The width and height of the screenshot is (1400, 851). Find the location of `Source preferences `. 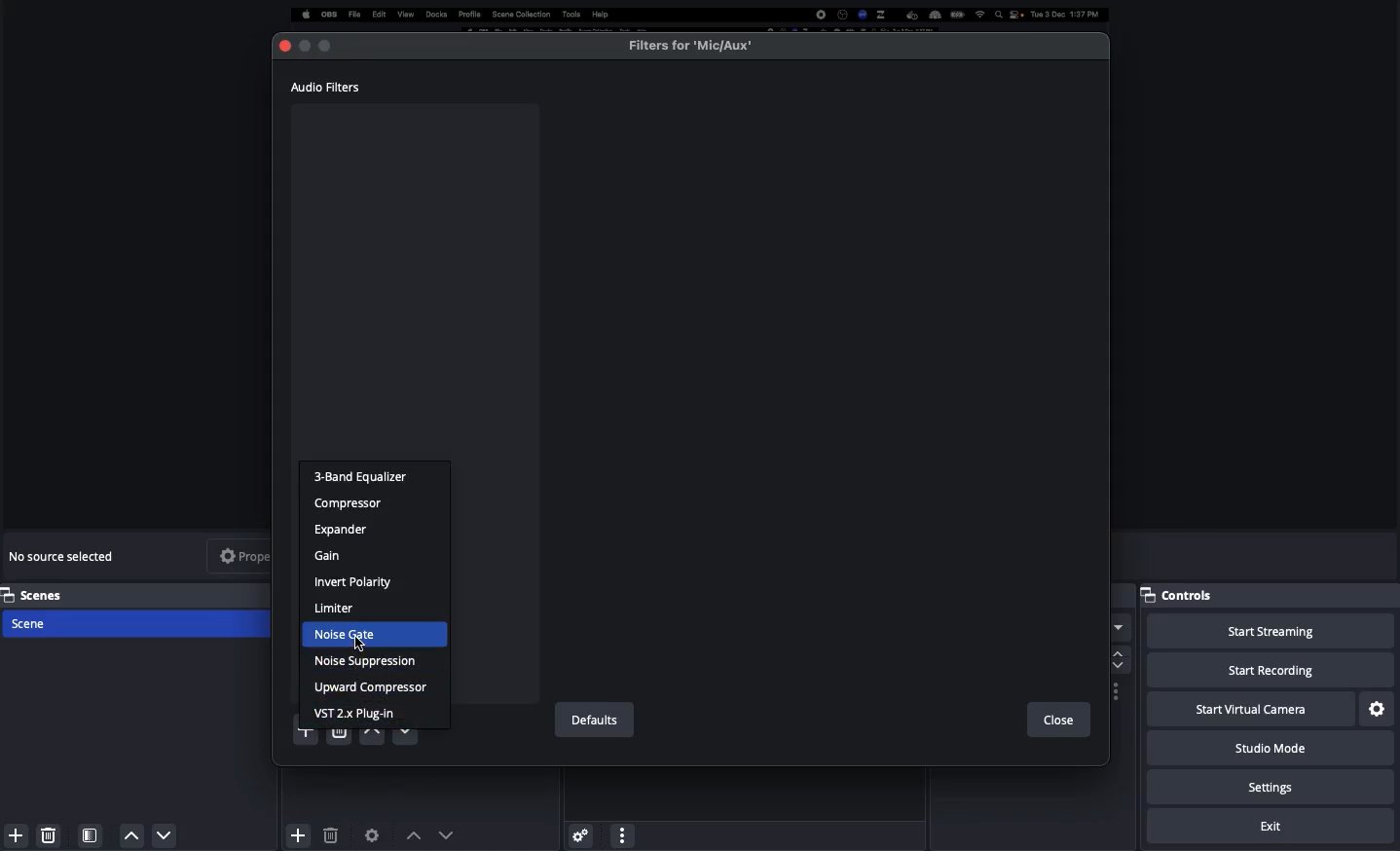

Source preferences  is located at coordinates (374, 833).